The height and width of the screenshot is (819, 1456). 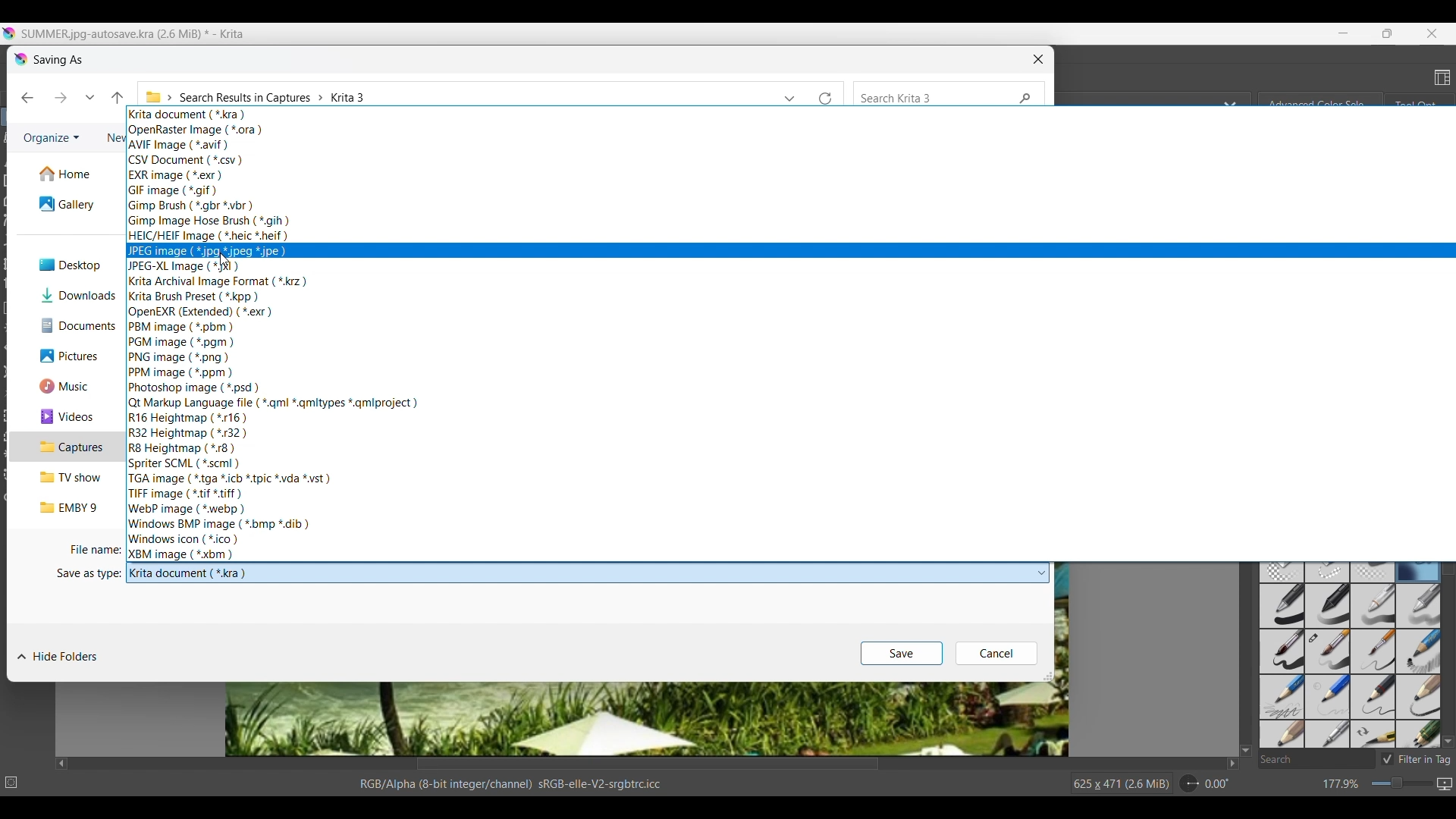 I want to click on Slider to change zoom, so click(x=1401, y=783).